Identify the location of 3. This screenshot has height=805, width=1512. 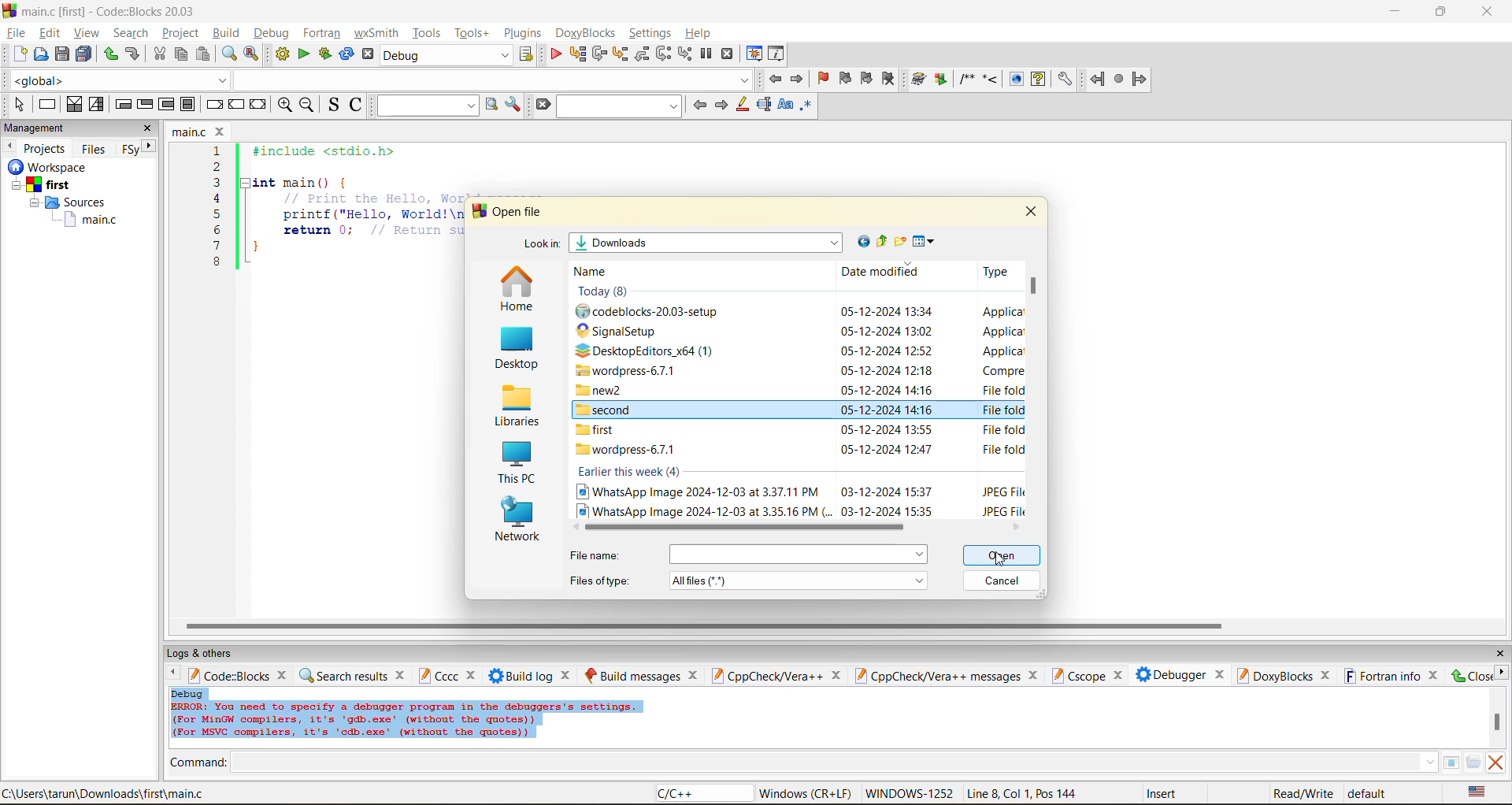
(217, 182).